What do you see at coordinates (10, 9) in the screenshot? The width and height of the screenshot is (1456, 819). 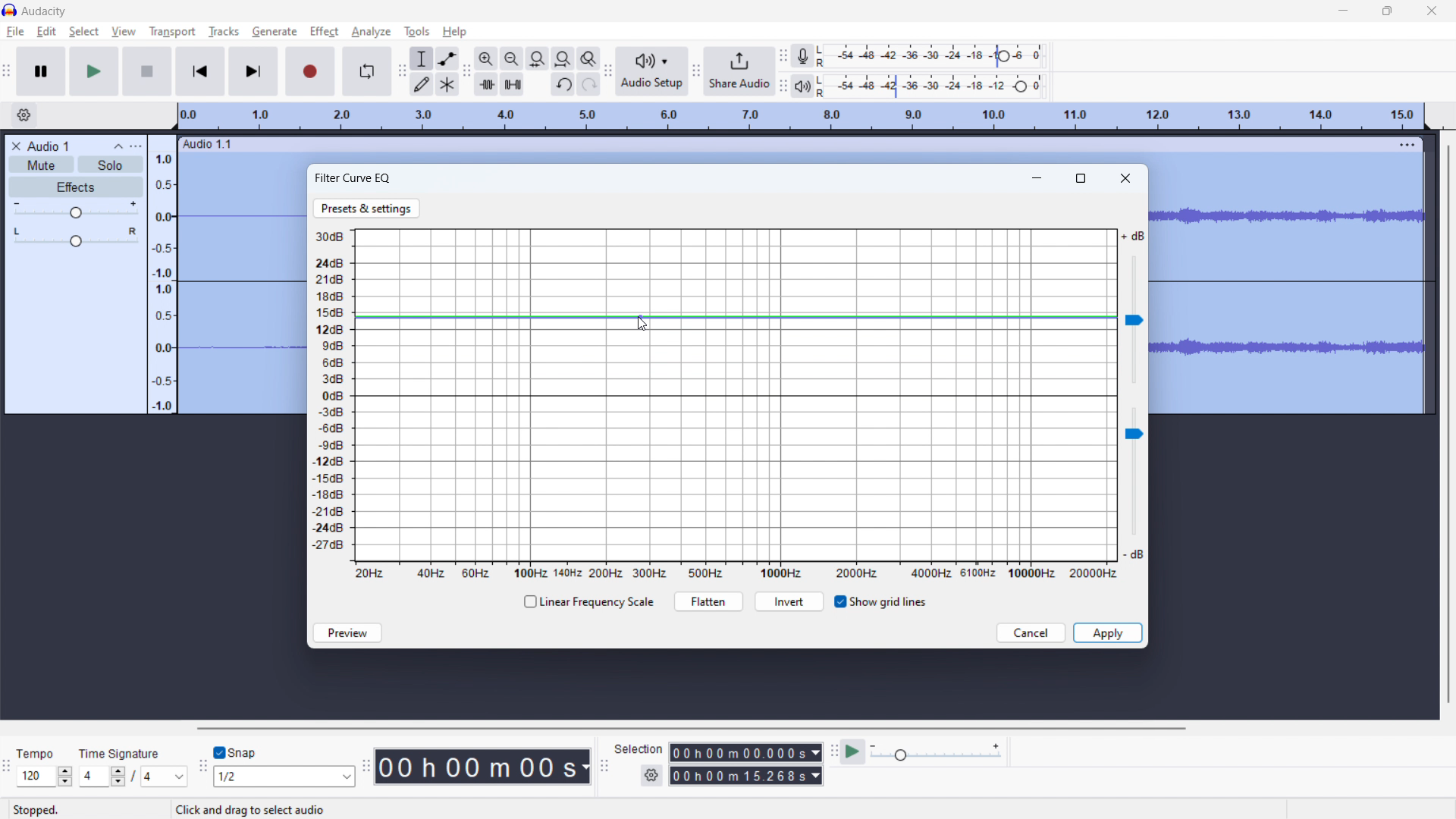 I see `logo` at bounding box center [10, 9].